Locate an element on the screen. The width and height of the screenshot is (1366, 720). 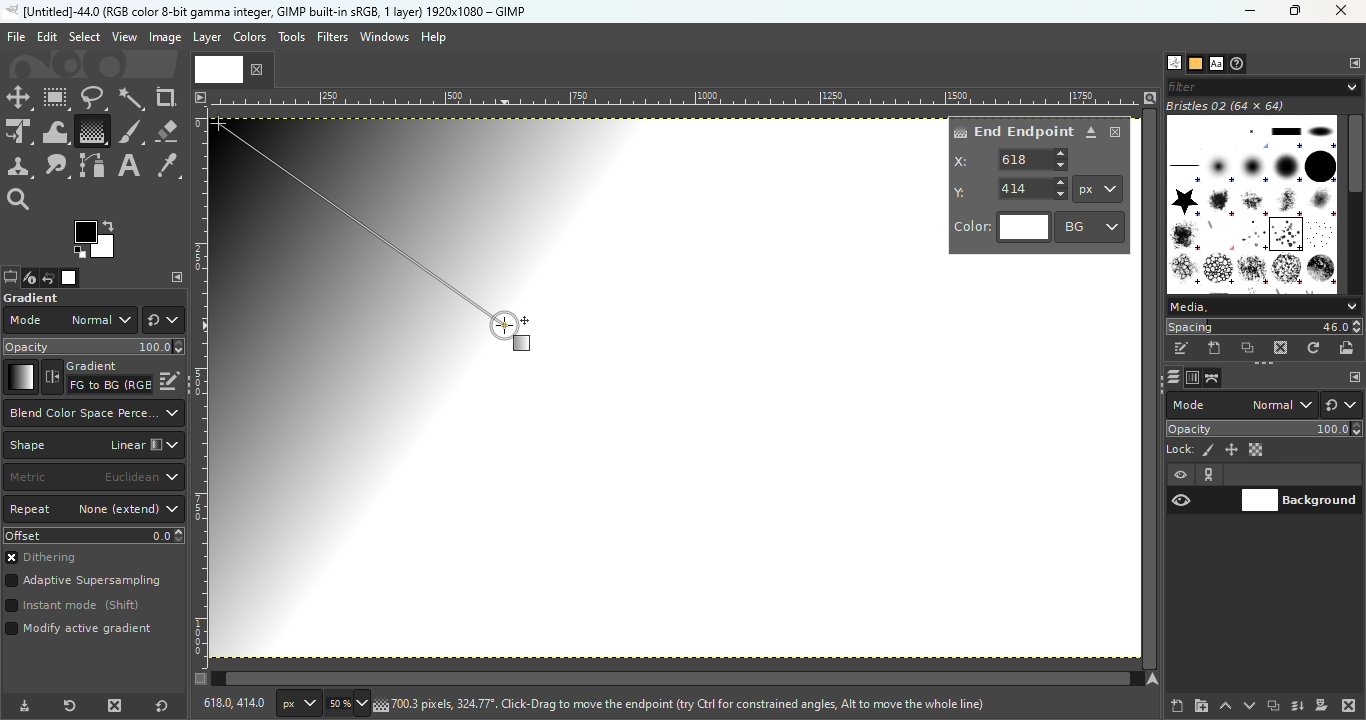
Tools is located at coordinates (294, 42).